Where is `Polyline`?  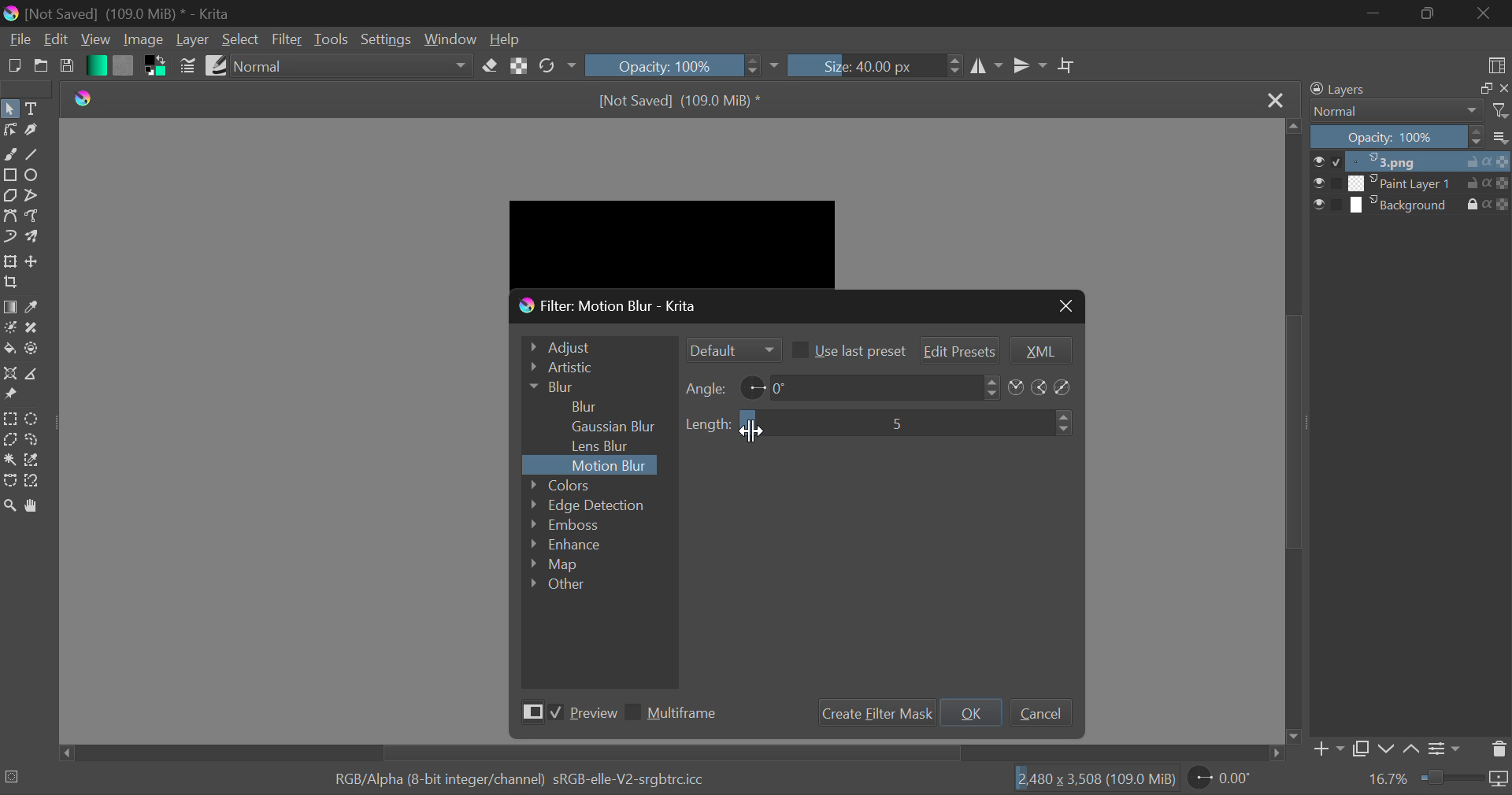 Polyline is located at coordinates (33, 196).